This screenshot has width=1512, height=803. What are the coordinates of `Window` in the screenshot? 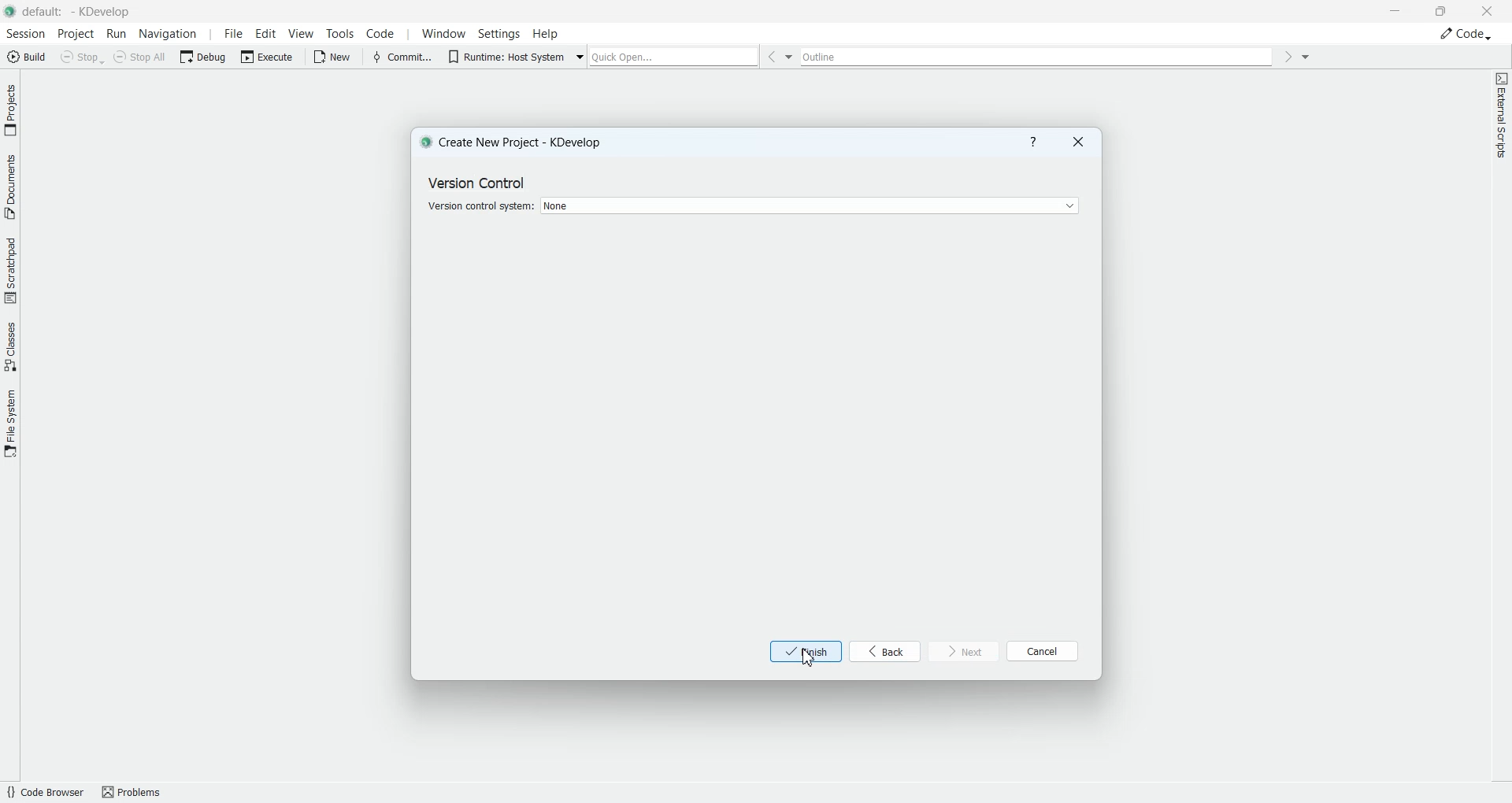 It's located at (441, 34).